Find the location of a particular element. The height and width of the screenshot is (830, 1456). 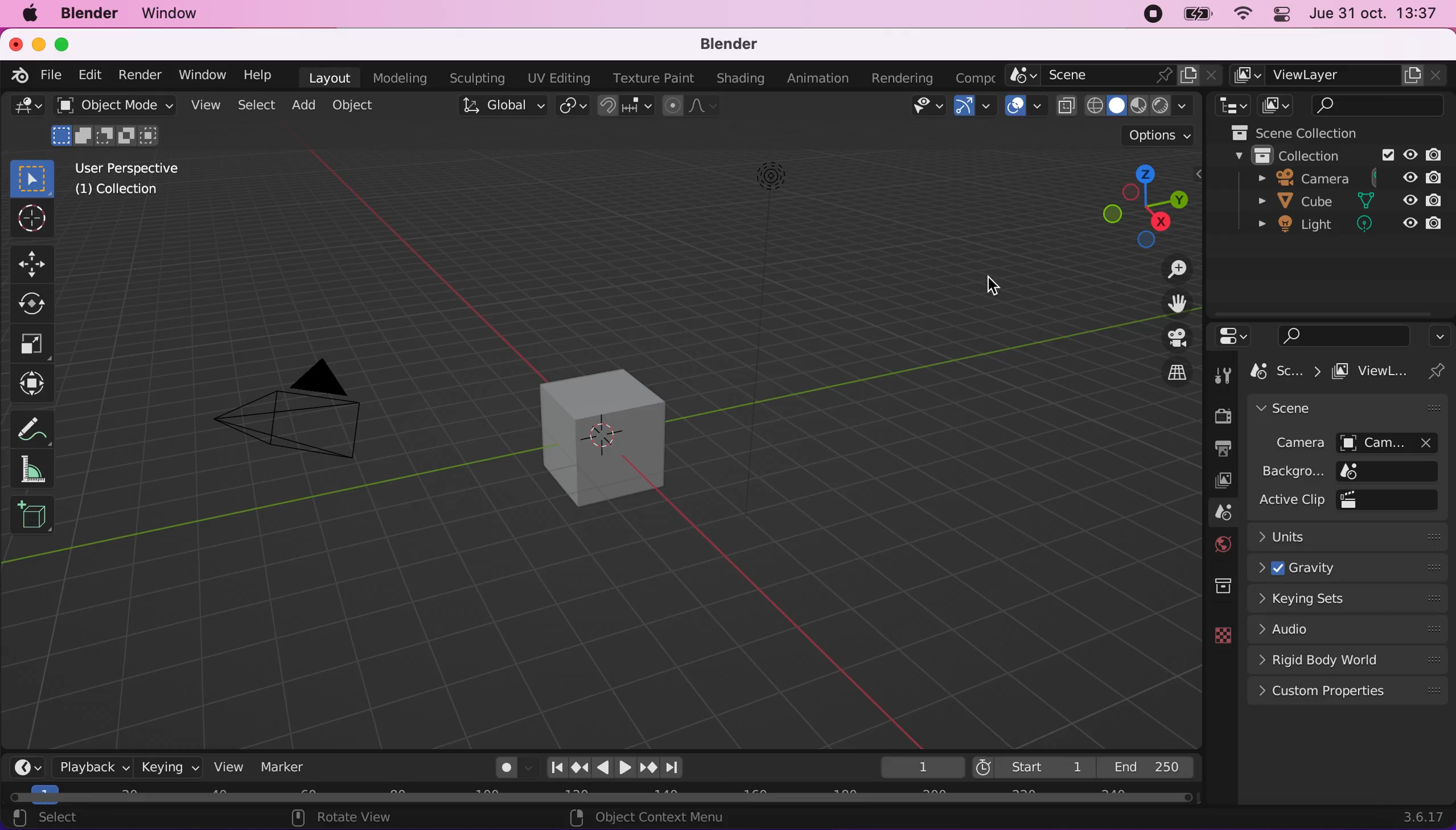

switch current view is located at coordinates (1168, 369).